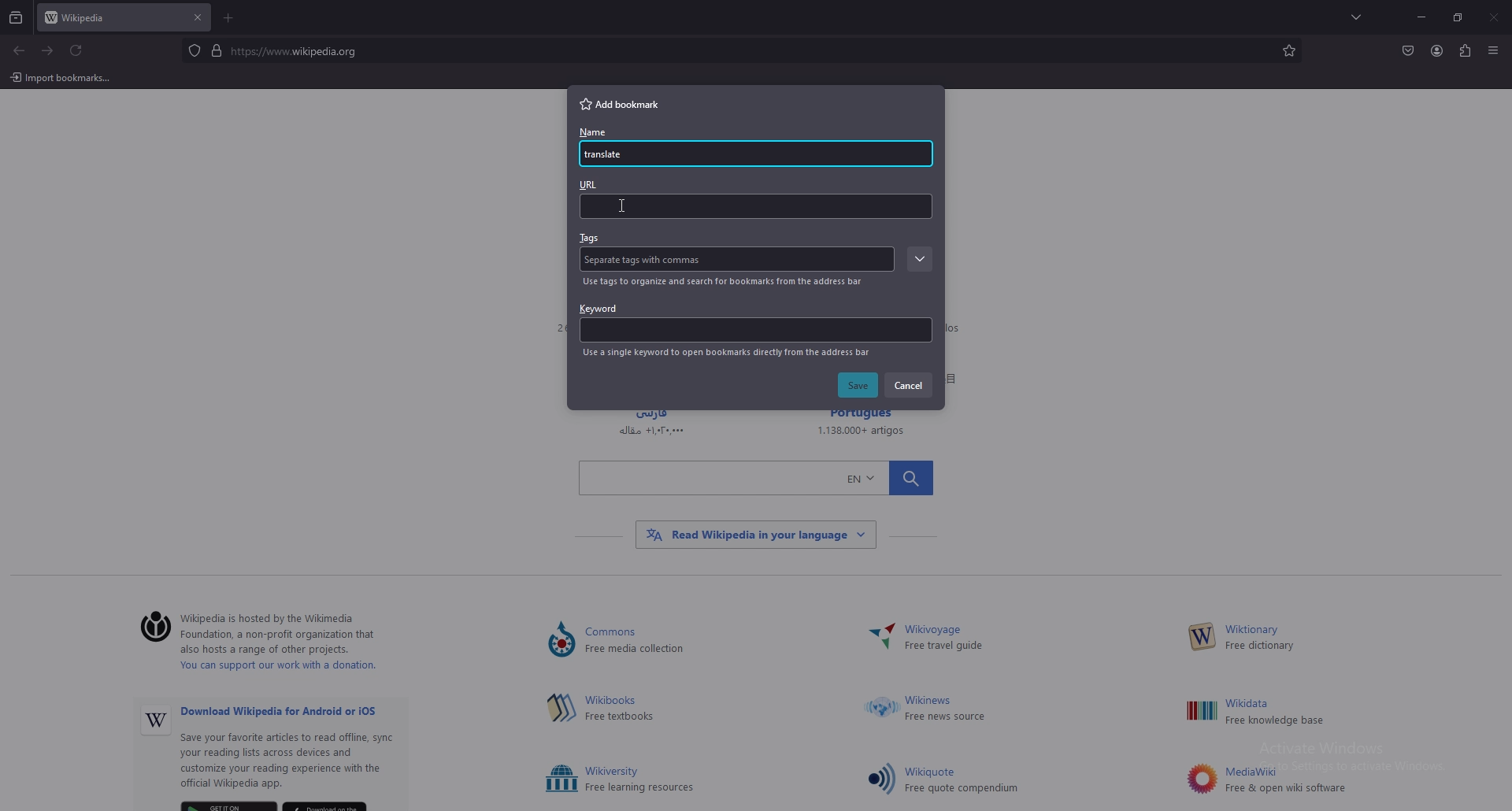  I want to click on backward, so click(19, 52).